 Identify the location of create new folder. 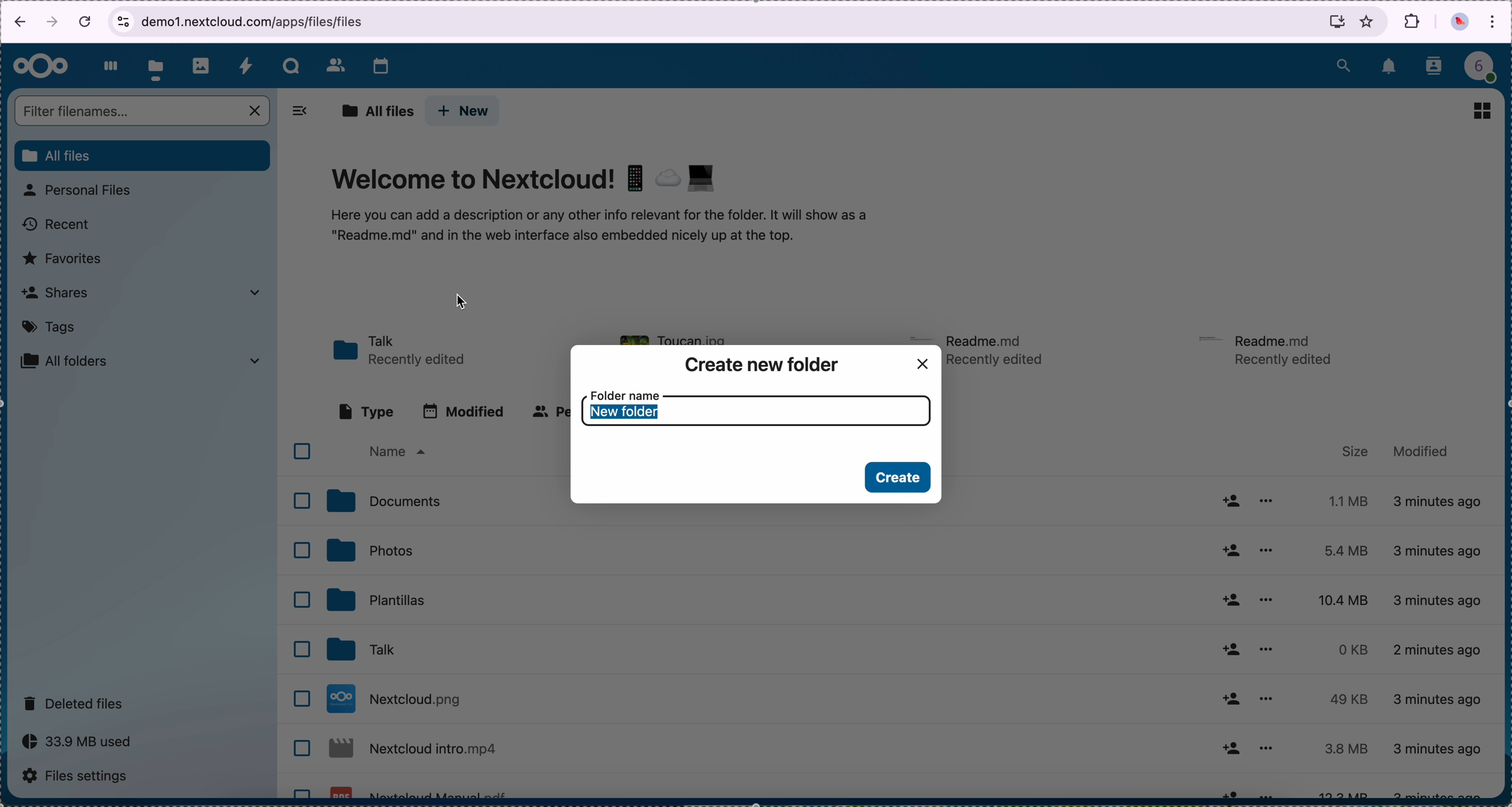
(762, 364).